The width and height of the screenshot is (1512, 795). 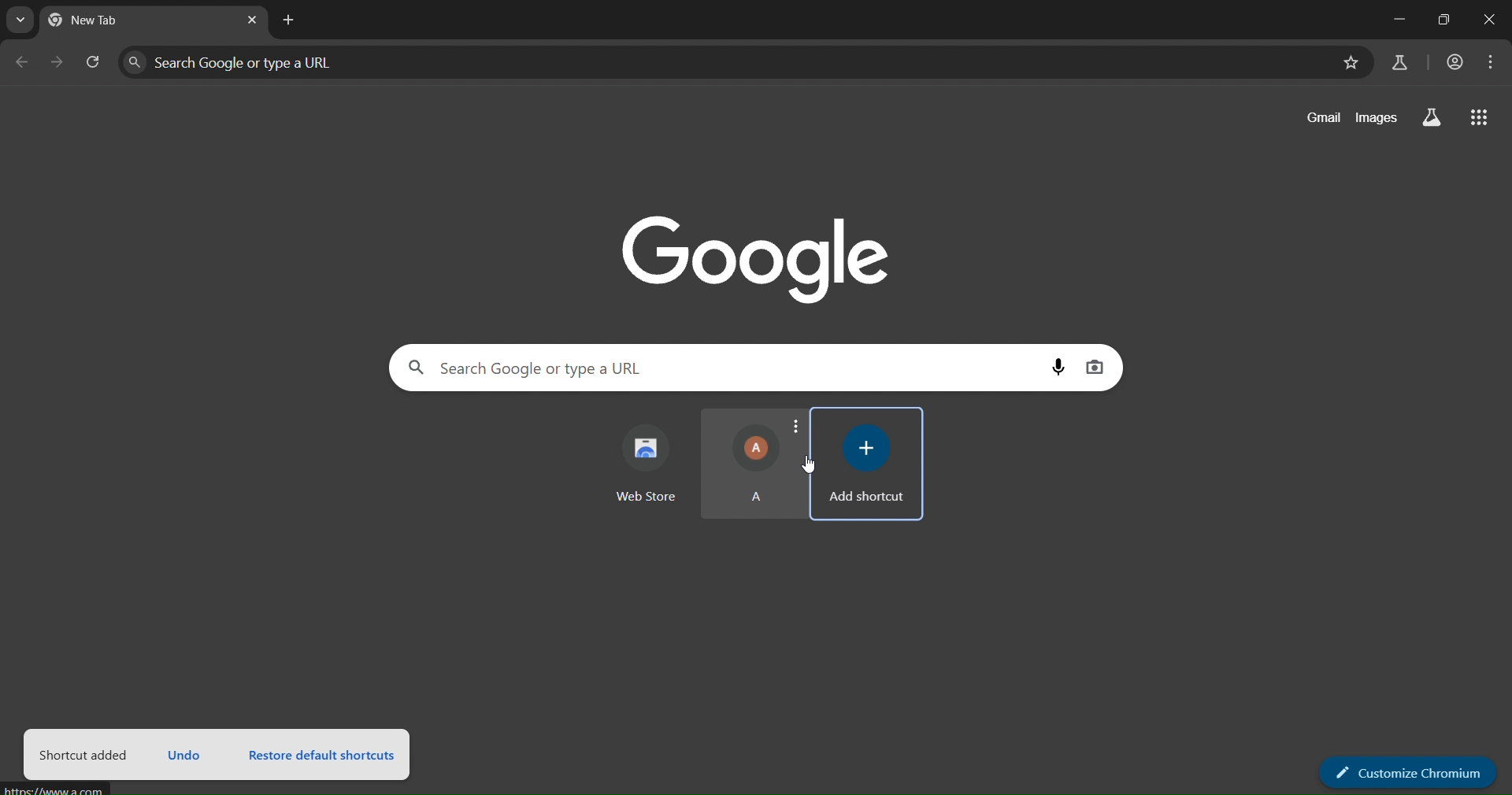 What do you see at coordinates (1349, 65) in the screenshot?
I see `bookmark page` at bounding box center [1349, 65].